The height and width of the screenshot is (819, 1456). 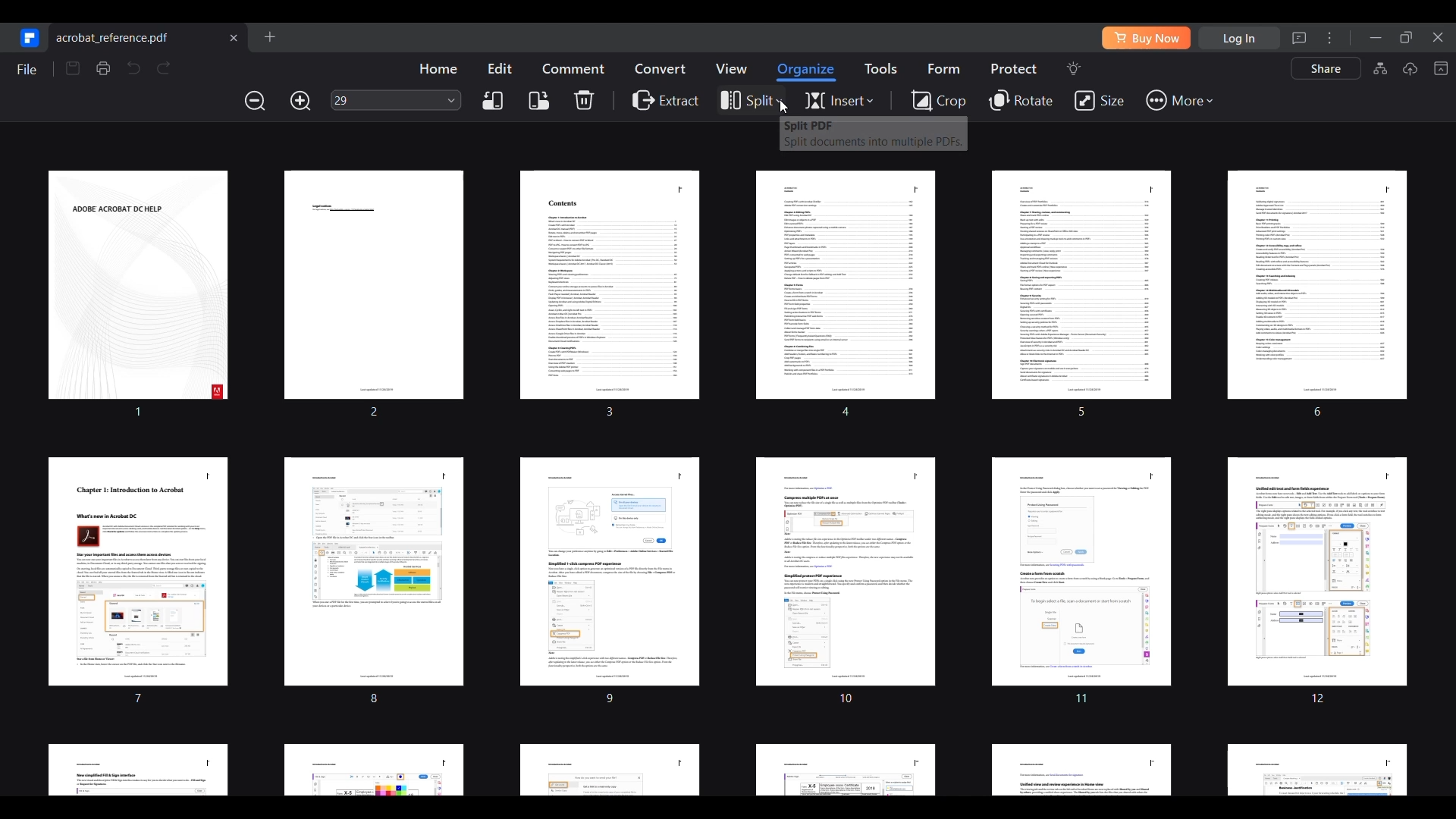 What do you see at coordinates (1329, 37) in the screenshot?
I see `More settings` at bounding box center [1329, 37].